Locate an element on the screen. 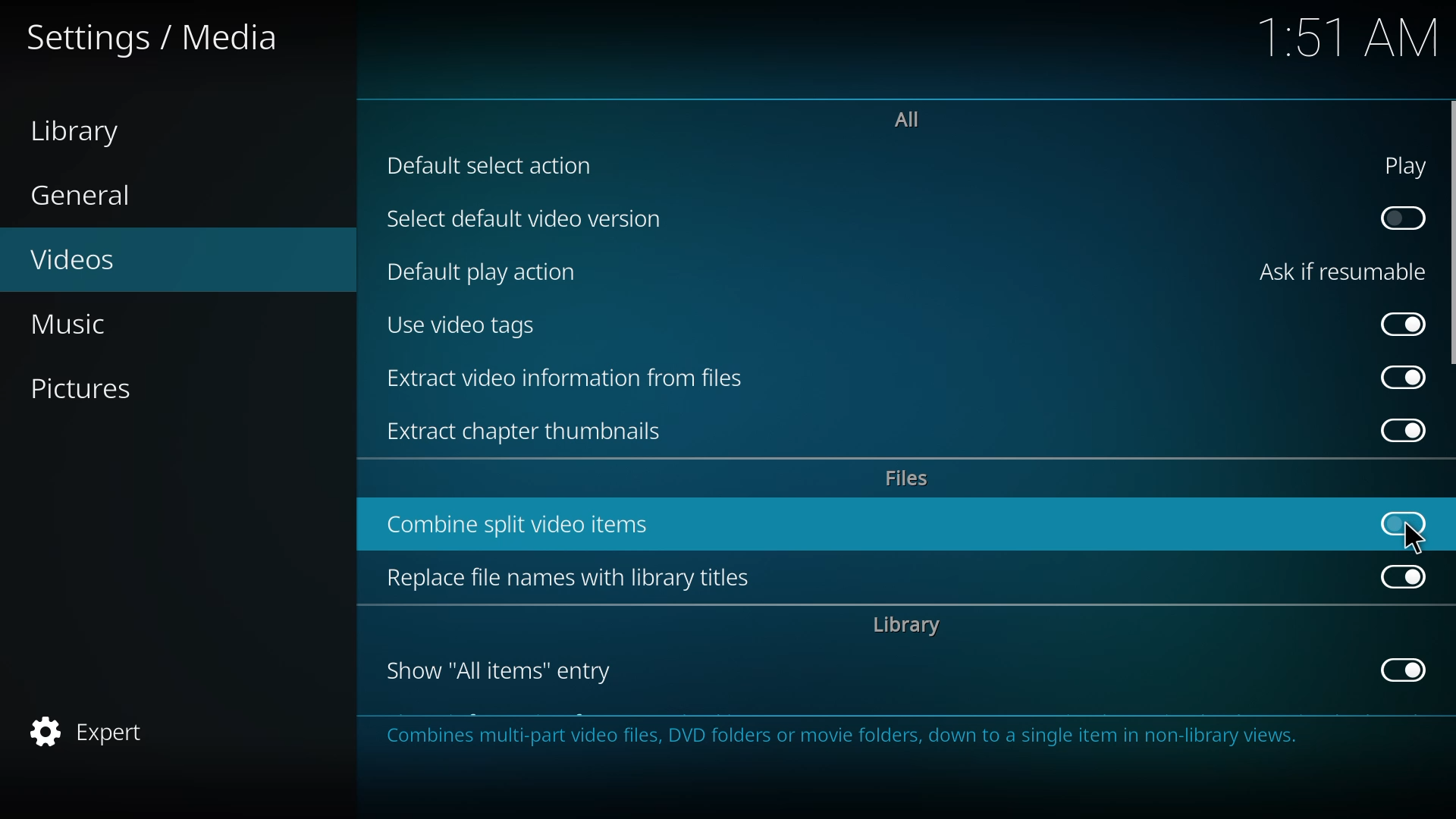  time is located at coordinates (1351, 35).